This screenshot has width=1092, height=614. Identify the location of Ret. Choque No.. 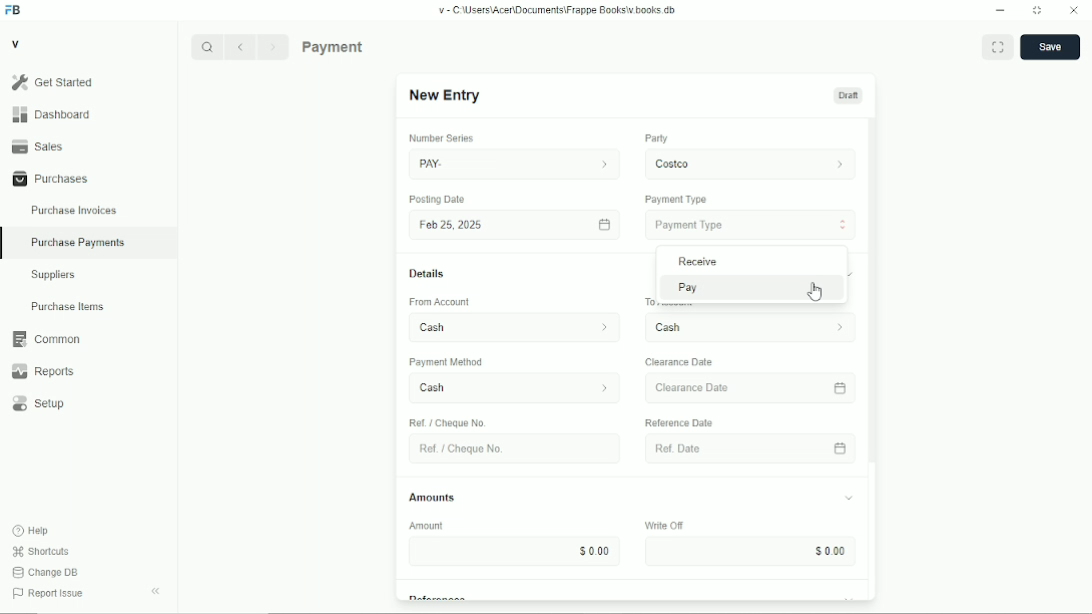
(509, 449).